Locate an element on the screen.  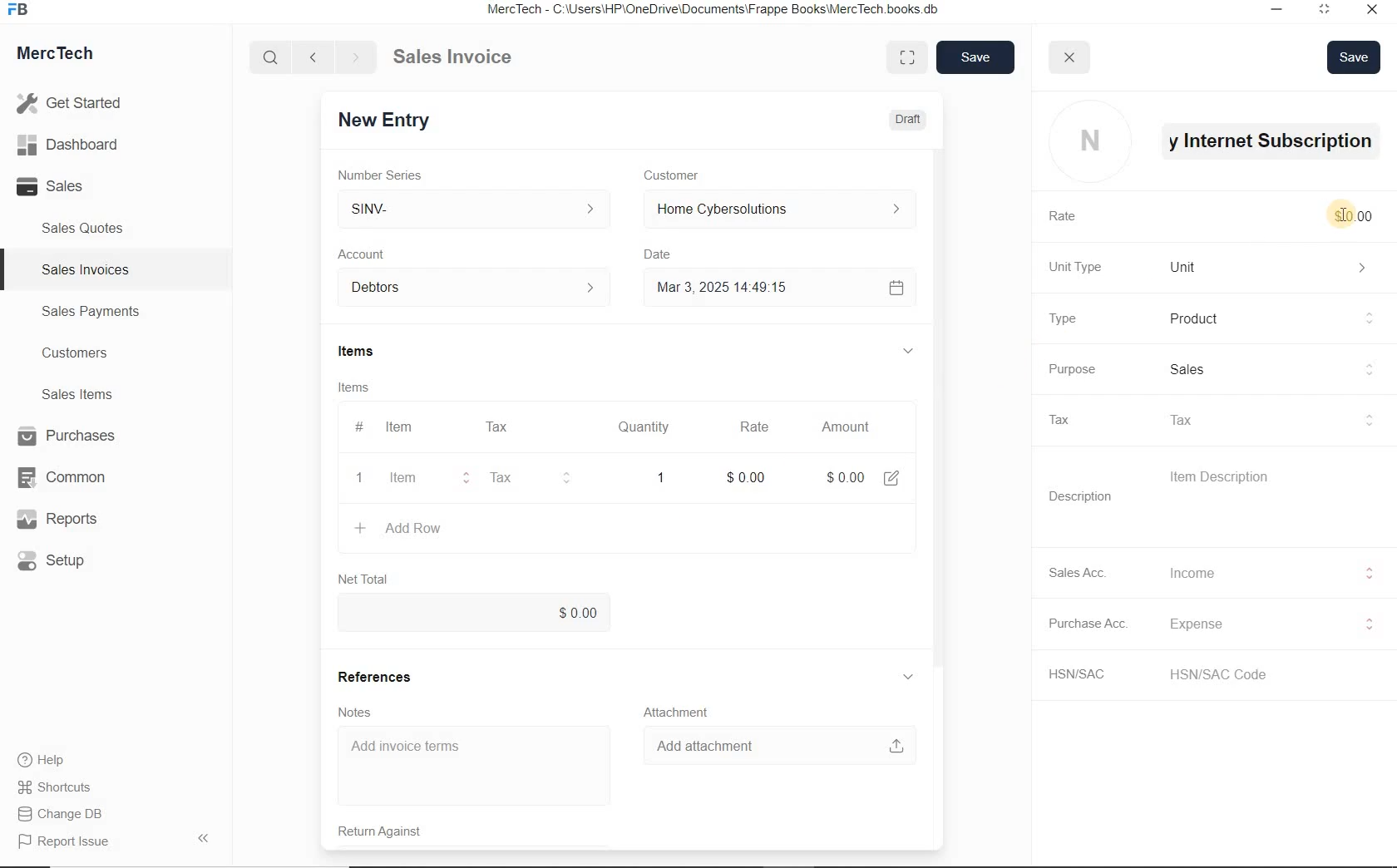
Items is located at coordinates (370, 353).